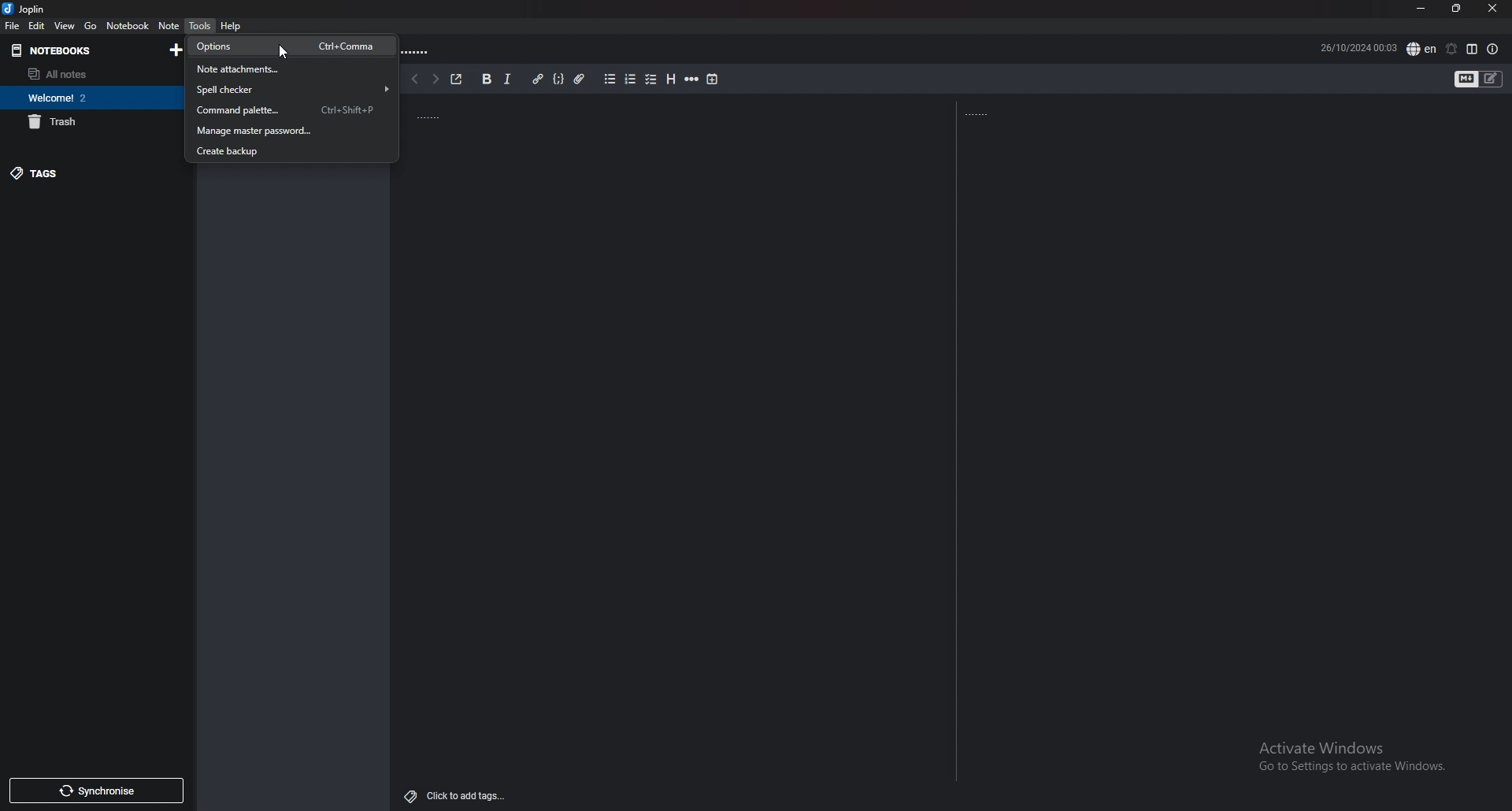 Image resolution: width=1512 pixels, height=811 pixels. What do you see at coordinates (434, 80) in the screenshot?
I see `forward` at bounding box center [434, 80].